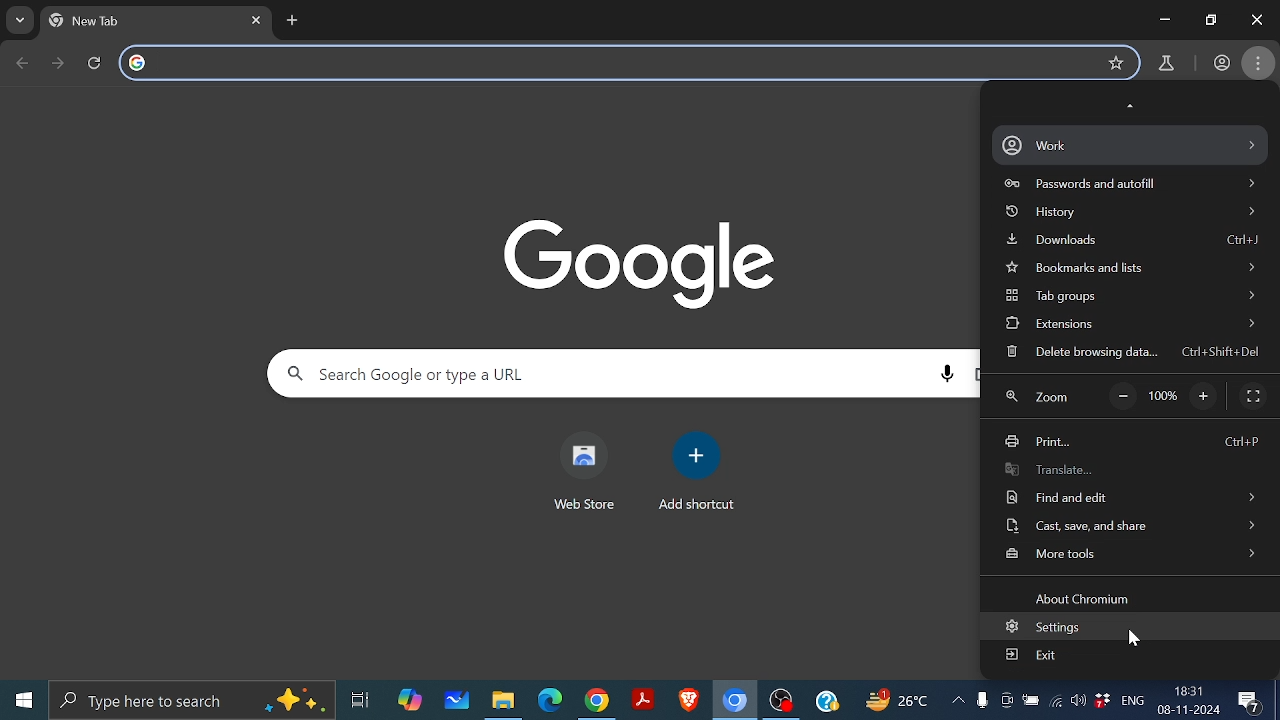  I want to click on add shortcut, so click(697, 505).